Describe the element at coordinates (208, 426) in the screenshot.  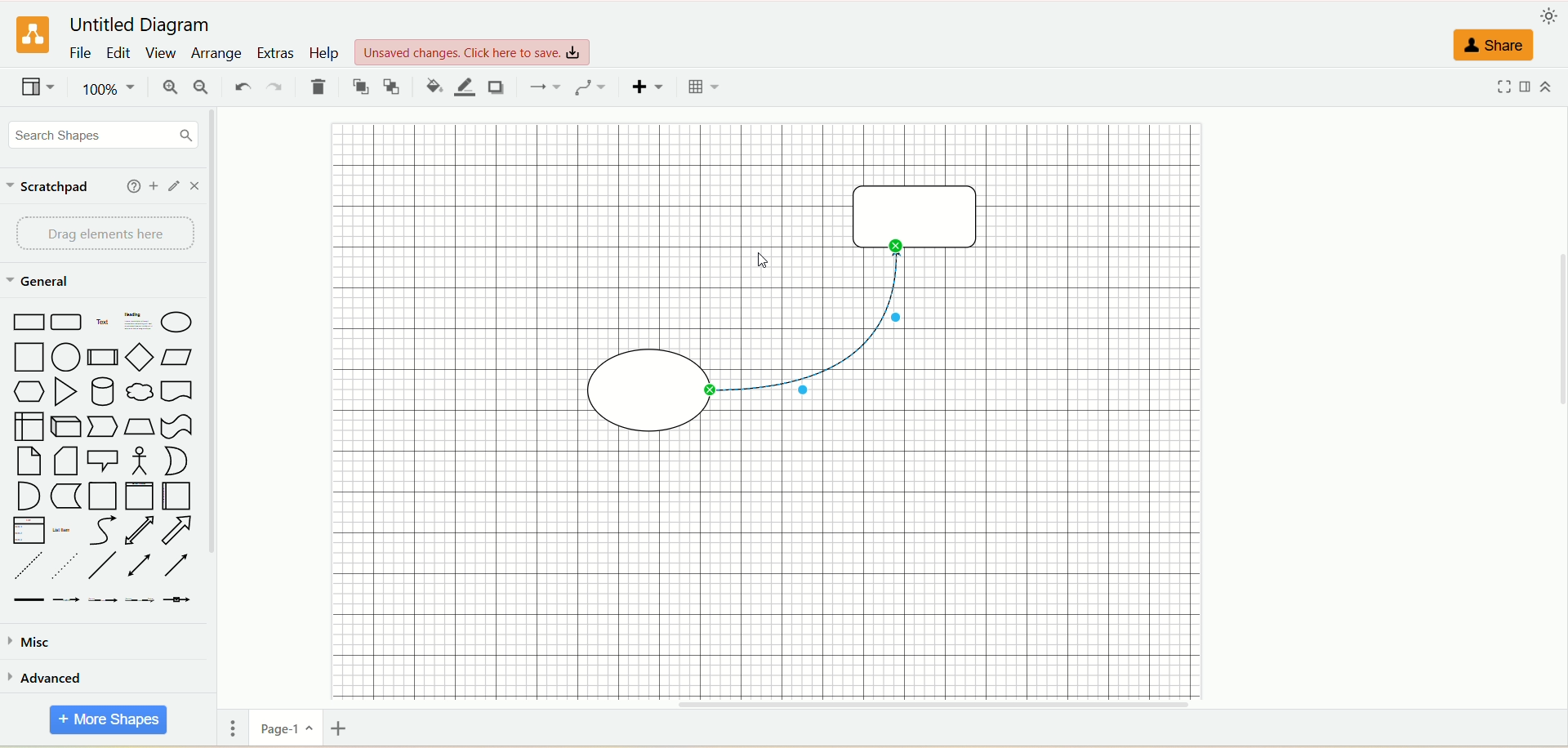
I see `vertical scroll bar` at that location.